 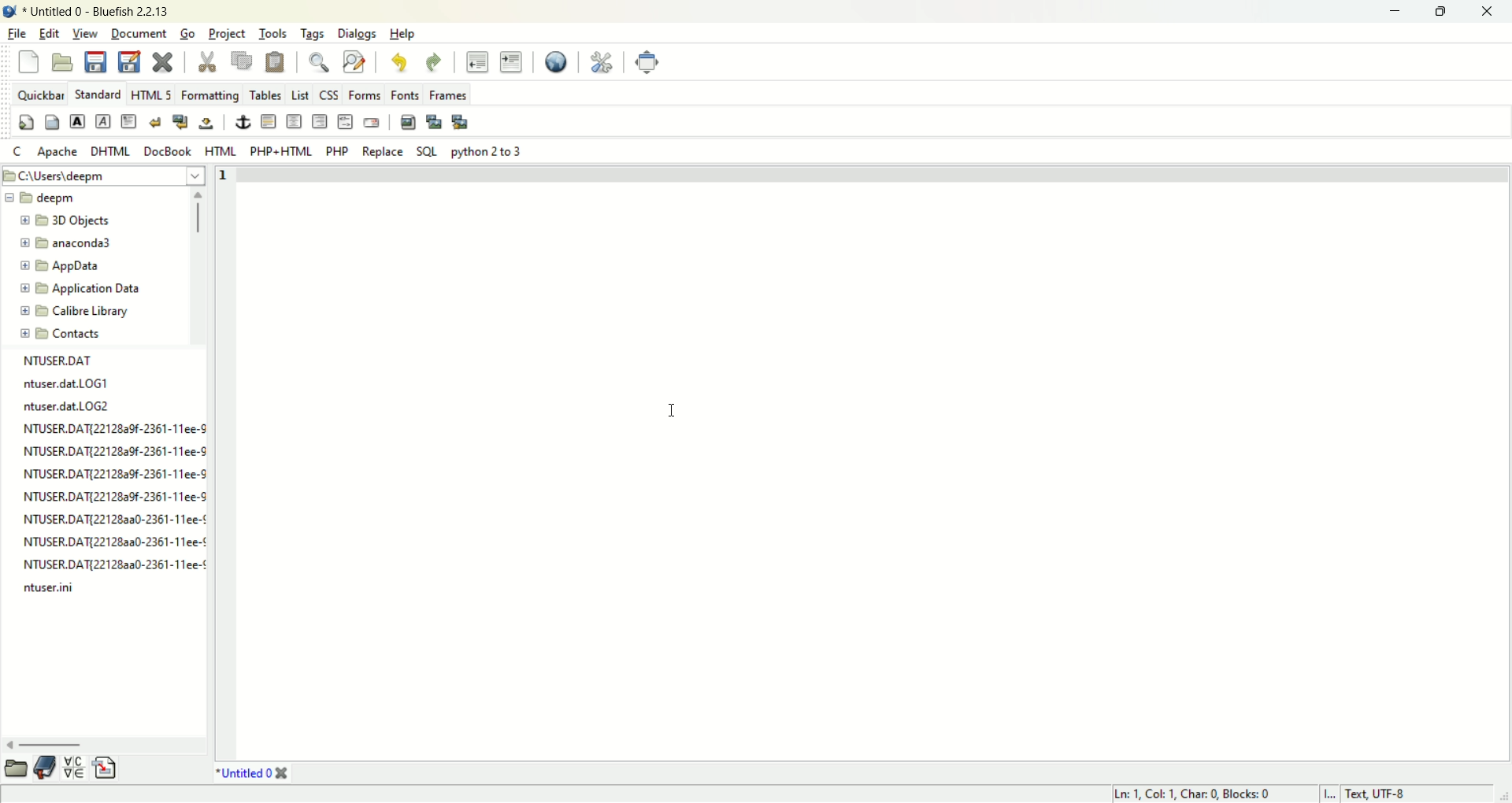 I want to click on anchor, so click(x=240, y=123).